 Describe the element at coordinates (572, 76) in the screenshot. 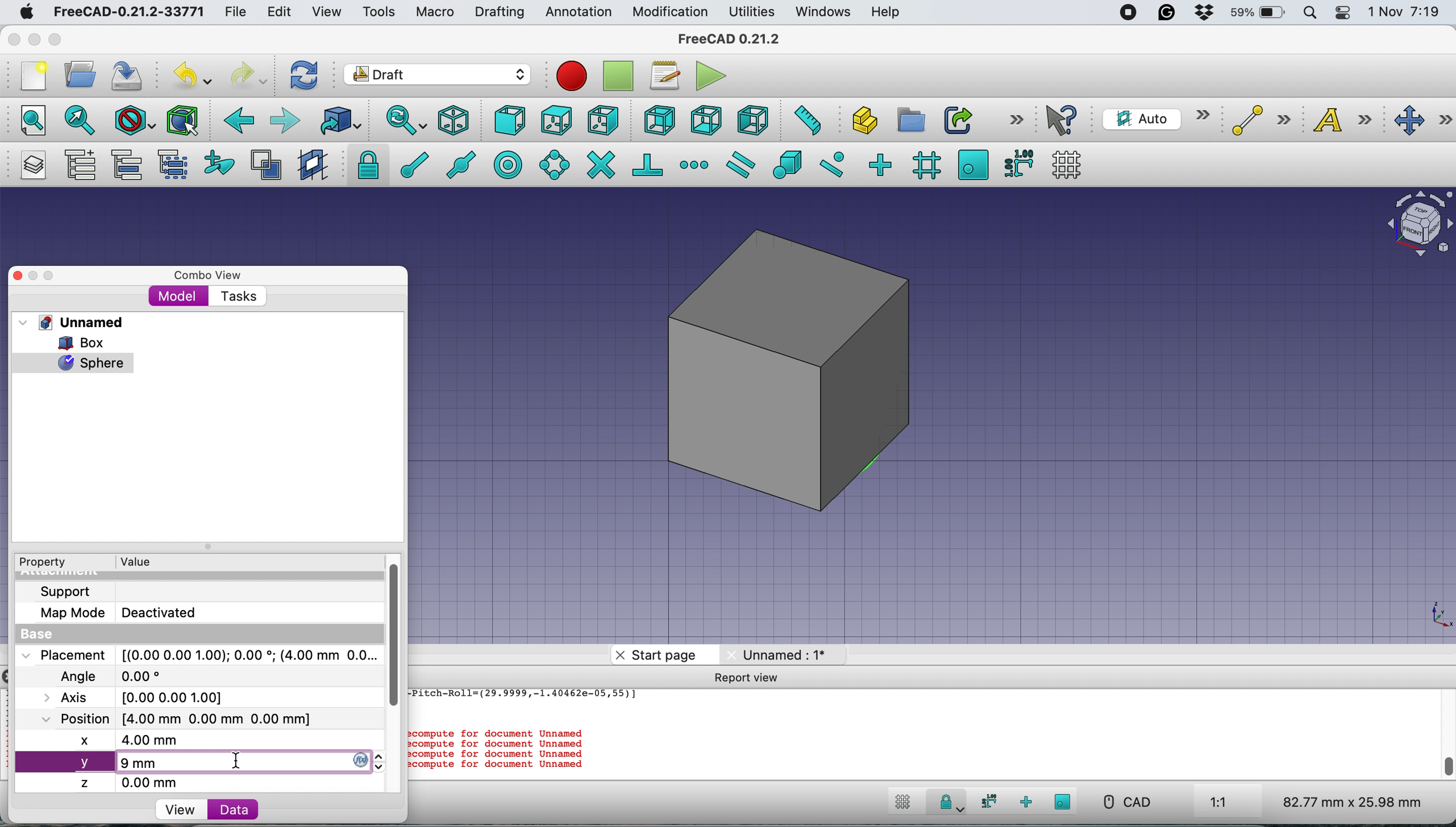

I see `record macros` at that location.